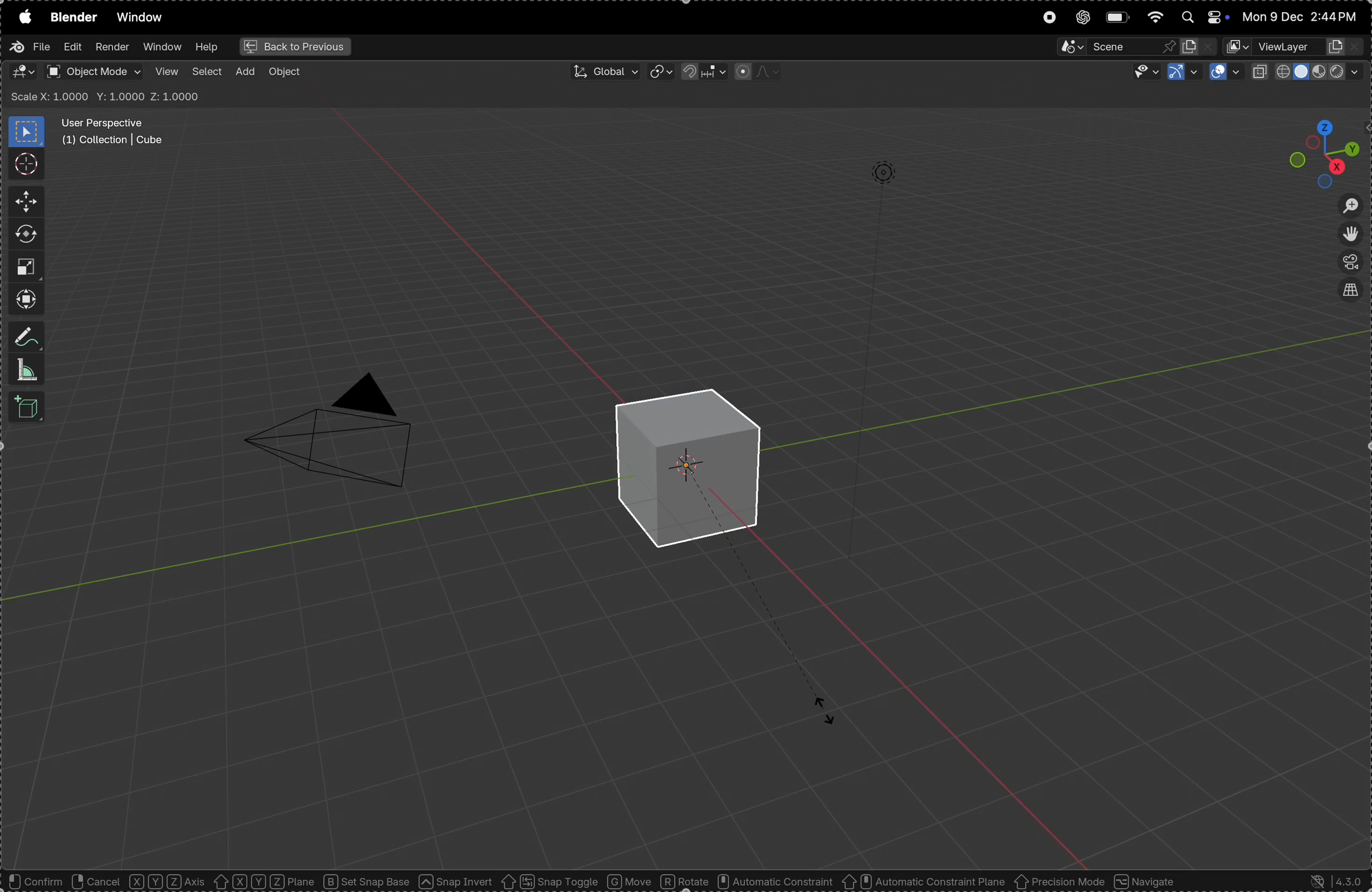 This screenshot has height=892, width=1372. What do you see at coordinates (24, 369) in the screenshot?
I see `measure` at bounding box center [24, 369].